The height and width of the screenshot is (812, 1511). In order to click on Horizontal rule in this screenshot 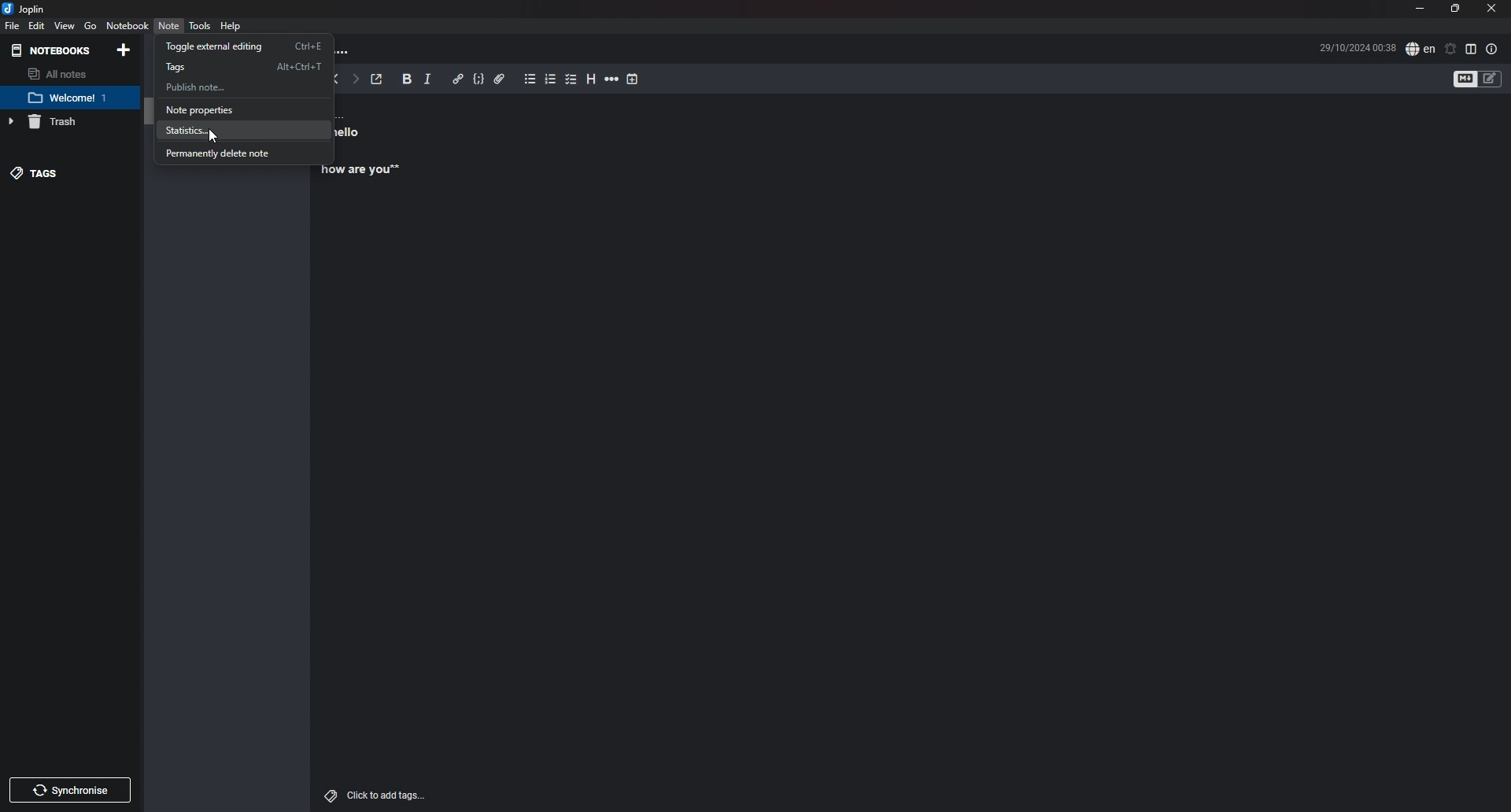, I will do `click(611, 79)`.